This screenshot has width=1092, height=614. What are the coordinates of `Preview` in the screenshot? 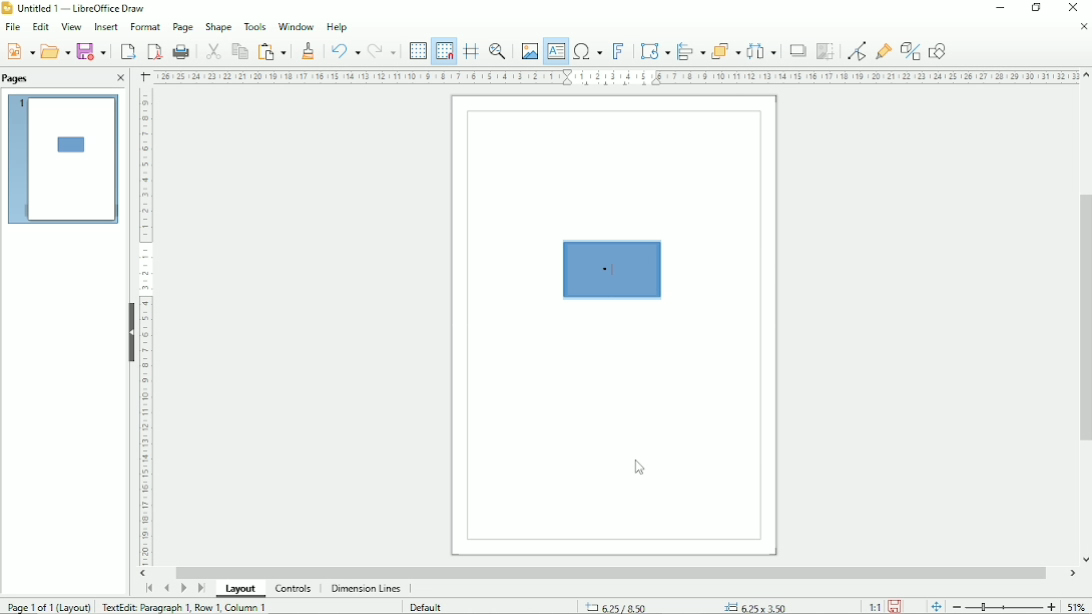 It's located at (63, 160).